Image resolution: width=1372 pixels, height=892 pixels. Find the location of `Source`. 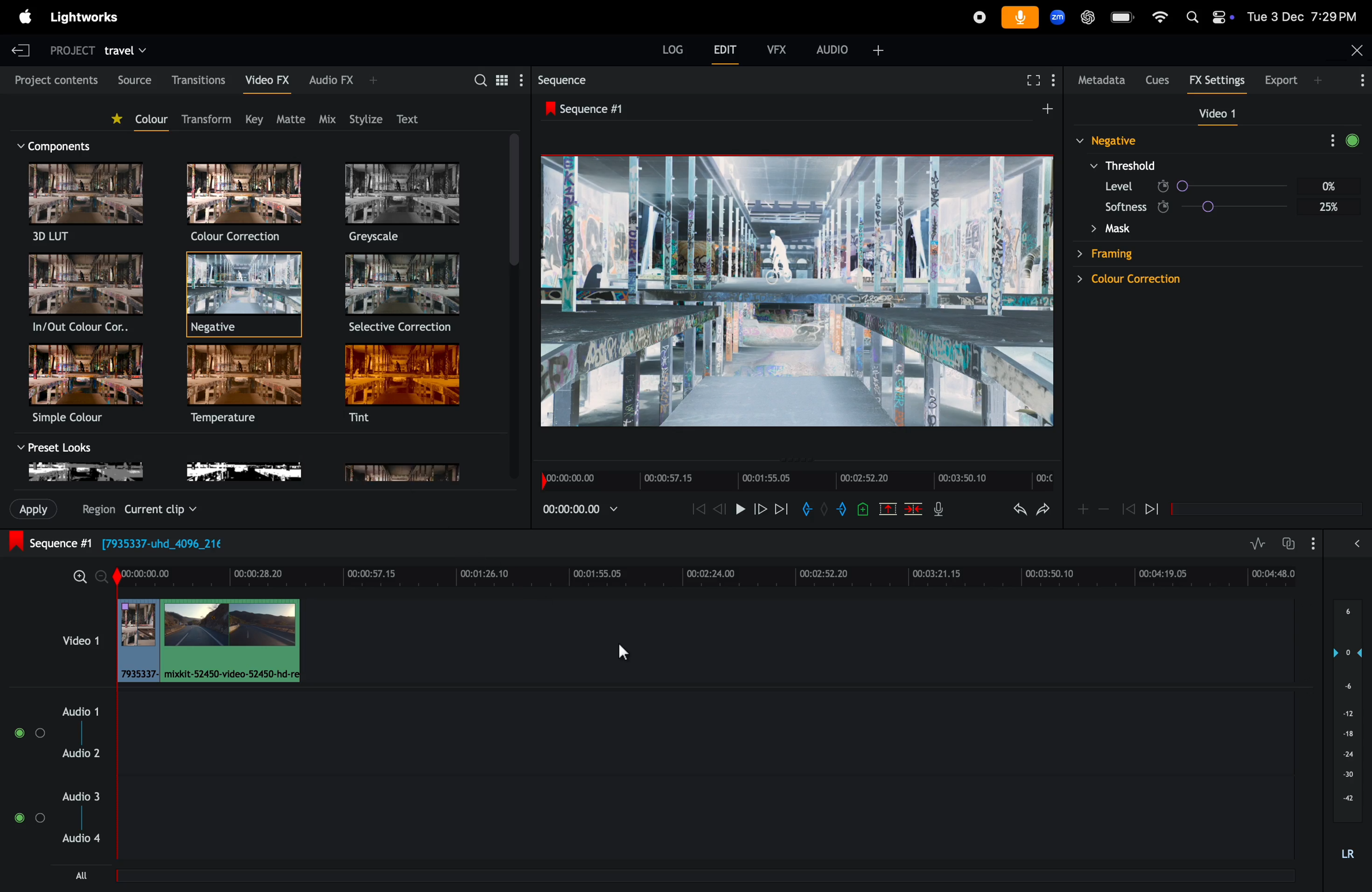

Source is located at coordinates (131, 77).